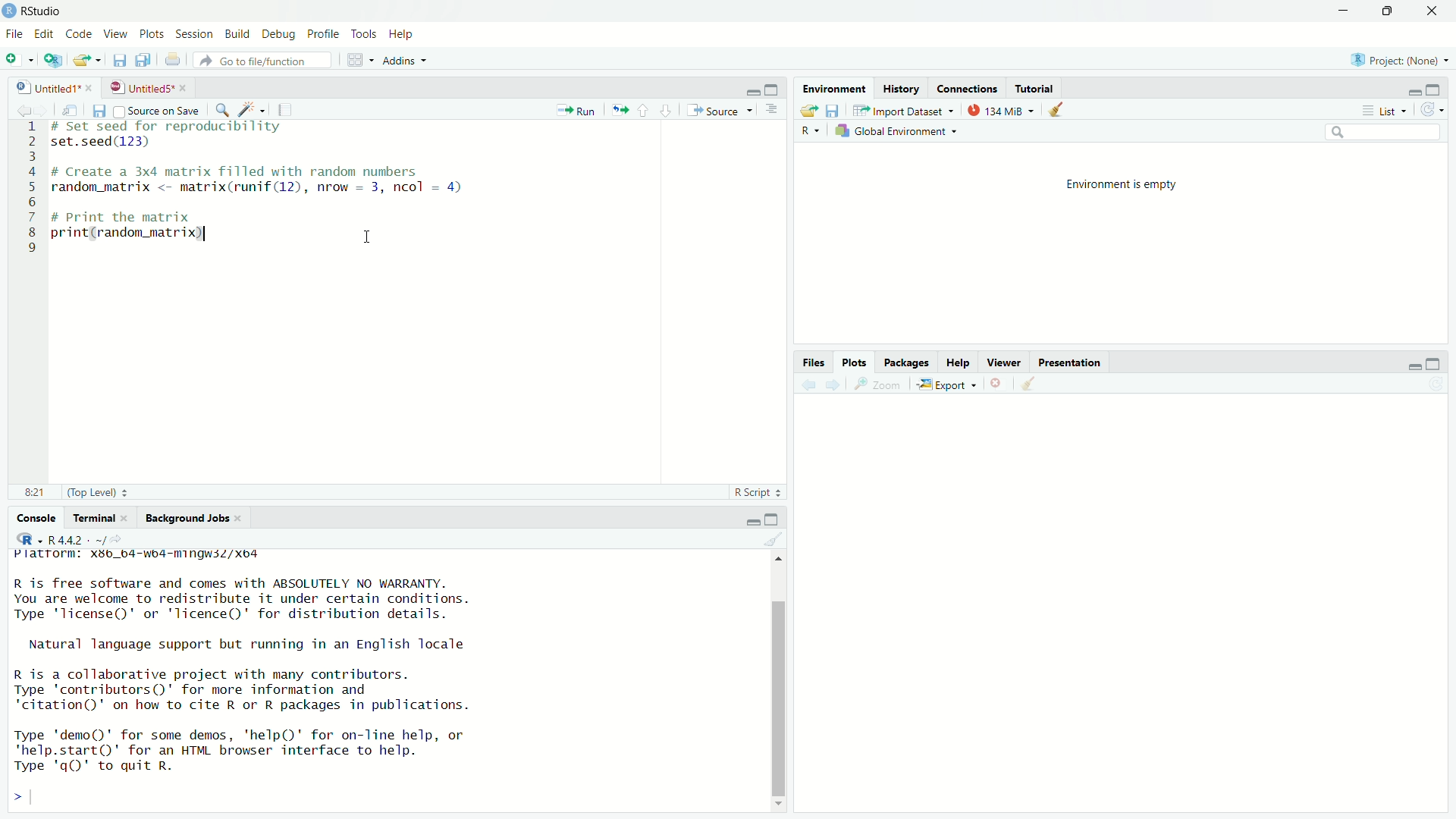 Image resolution: width=1456 pixels, height=819 pixels. Describe the element at coordinates (271, 196) in the screenshot. I see `1 # Set seed for reproducibility

2 set.seed(123)

3

4 # Create a 3x4 matrix filled with random numbers

5 random_matrix <- matrix(runif(12), nrow = 3, ncol = 4)
6

7 # Print the matrix

8 print(random_matrix) 1

9` at that location.